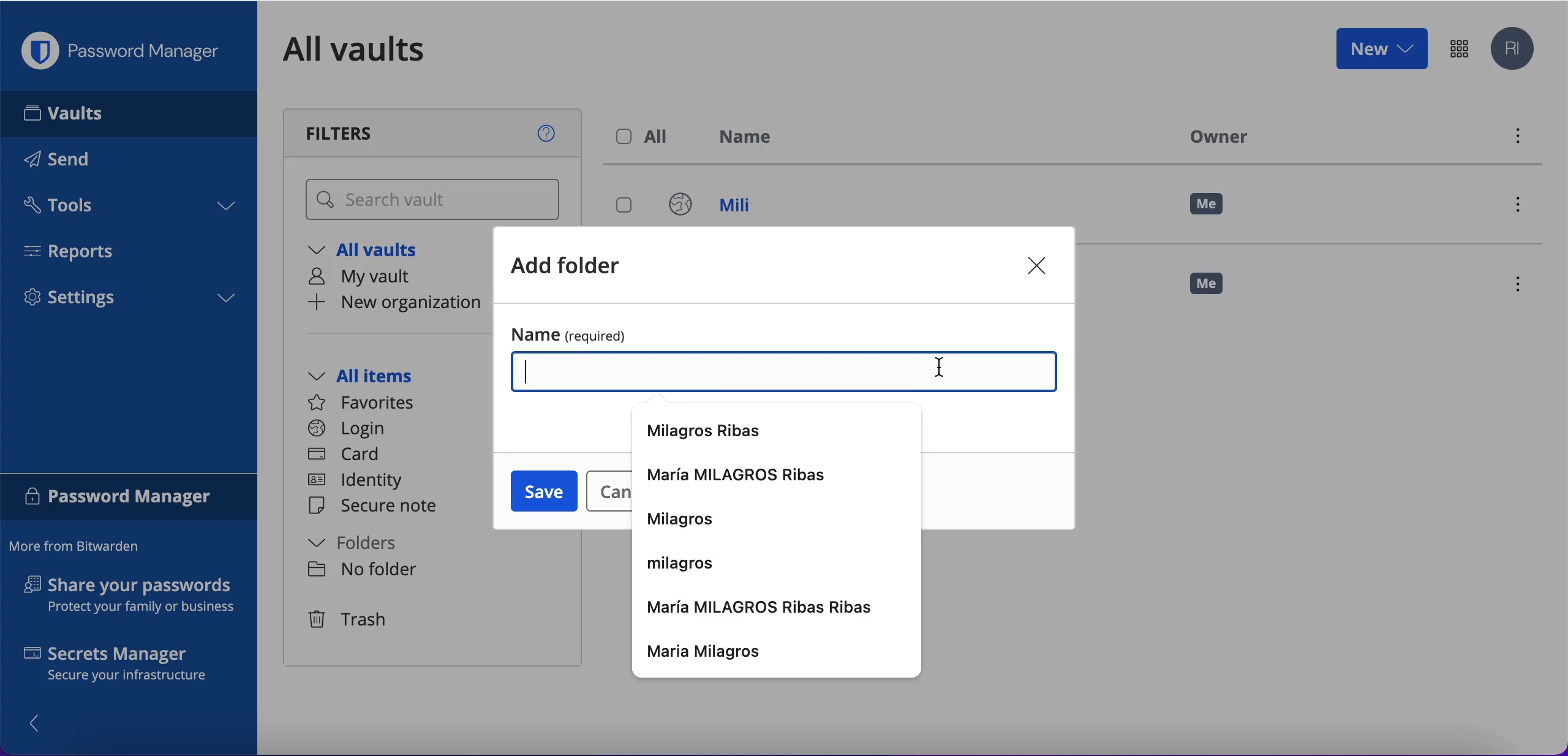 The width and height of the screenshot is (1568, 756). What do you see at coordinates (129, 667) in the screenshot?
I see `secrets manager secure your infrastructure` at bounding box center [129, 667].